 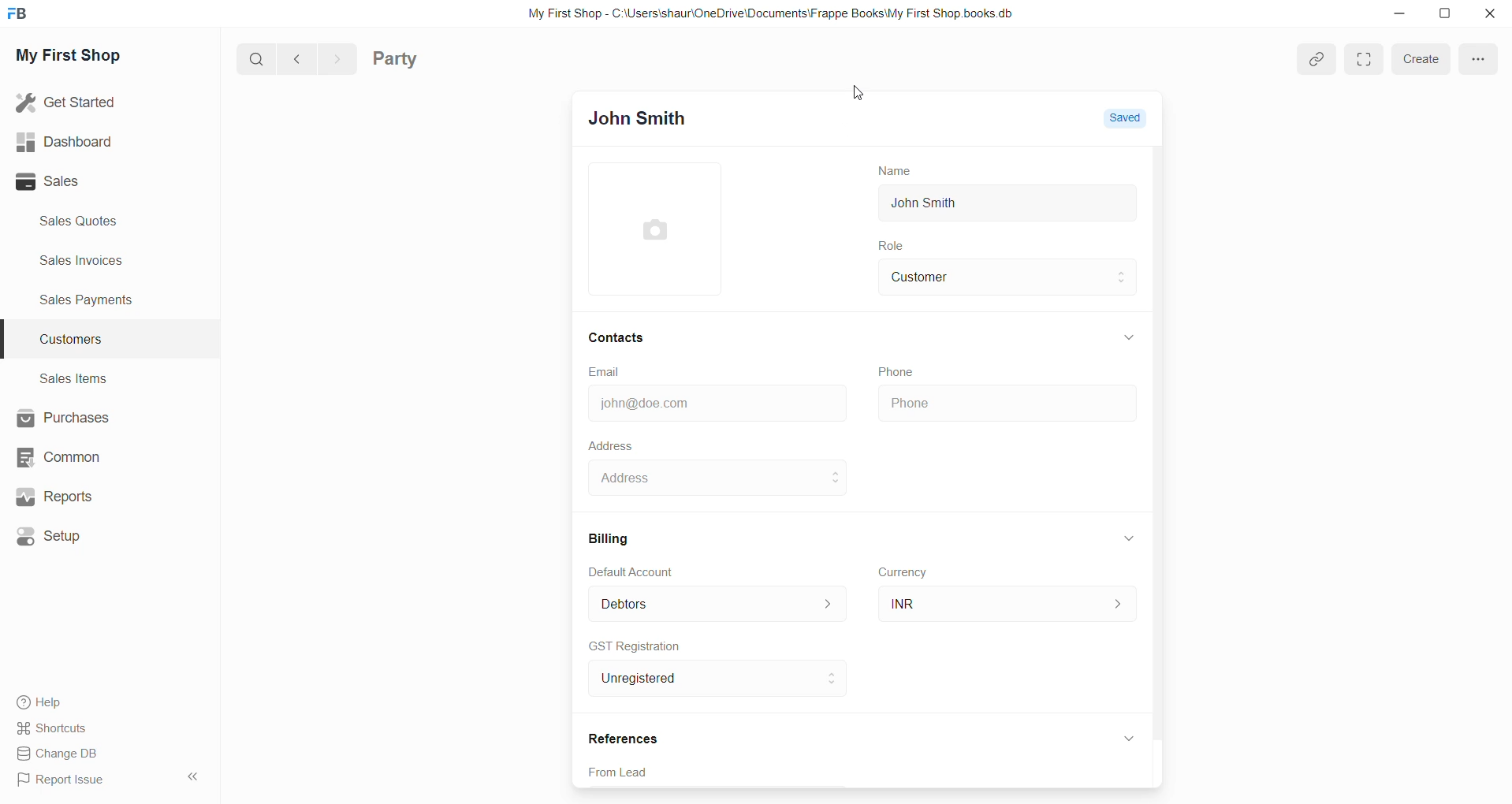 I want to click on Select Currency, so click(x=986, y=601).